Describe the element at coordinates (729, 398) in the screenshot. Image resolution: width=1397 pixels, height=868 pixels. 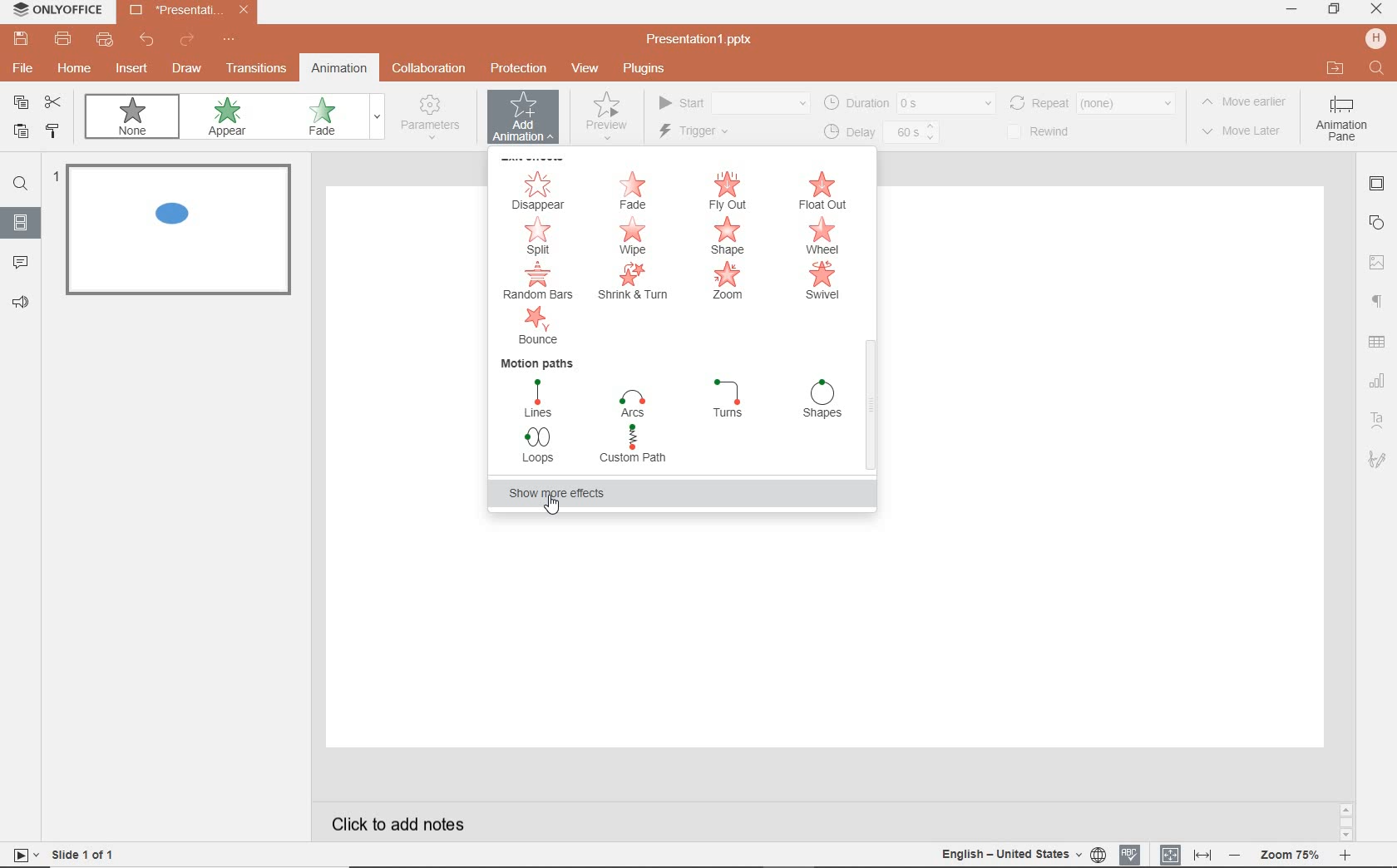
I see `T` at that location.